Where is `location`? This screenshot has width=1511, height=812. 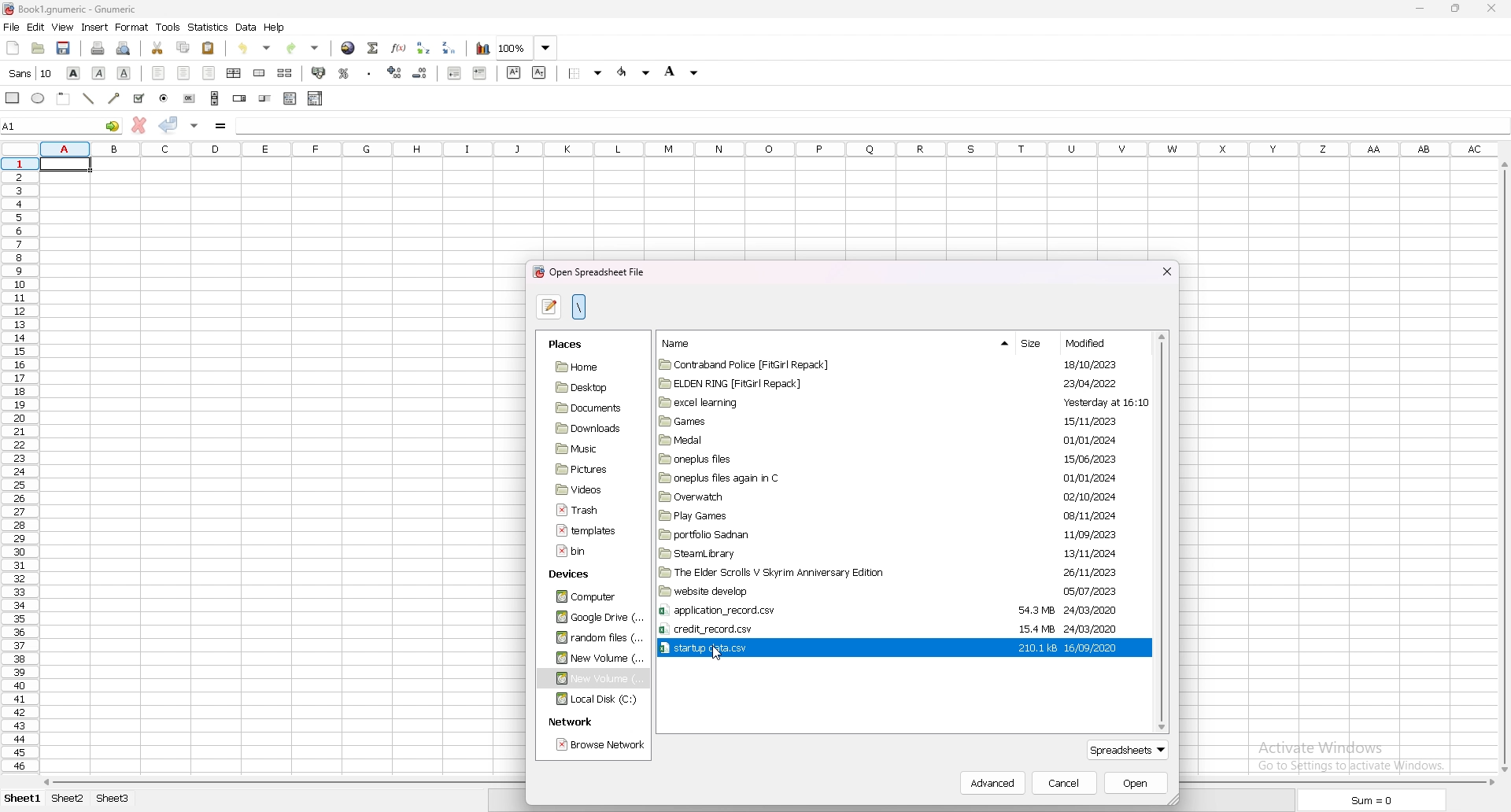
location is located at coordinates (579, 307).